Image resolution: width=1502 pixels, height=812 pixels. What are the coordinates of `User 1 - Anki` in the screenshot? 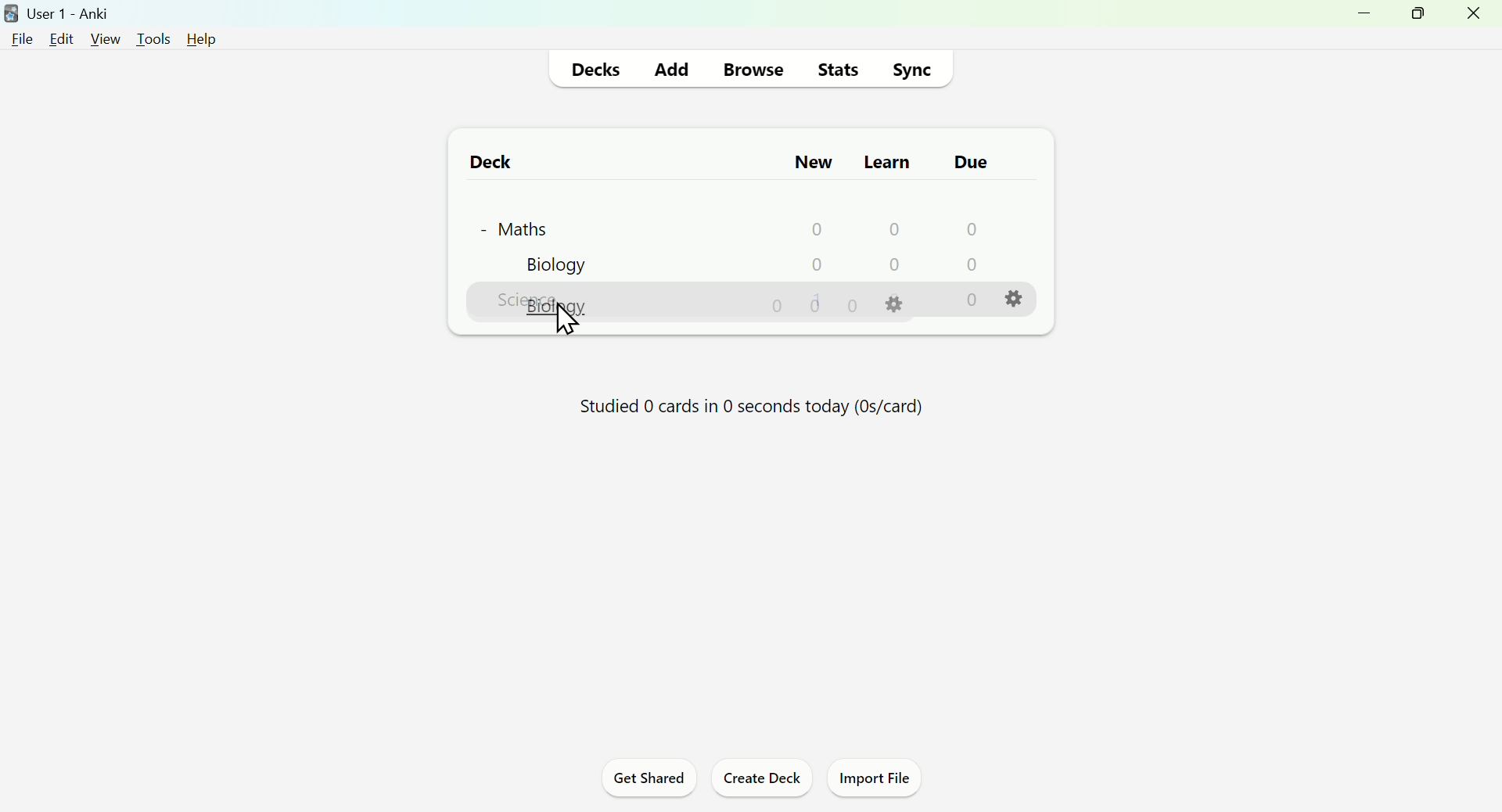 It's located at (61, 12).